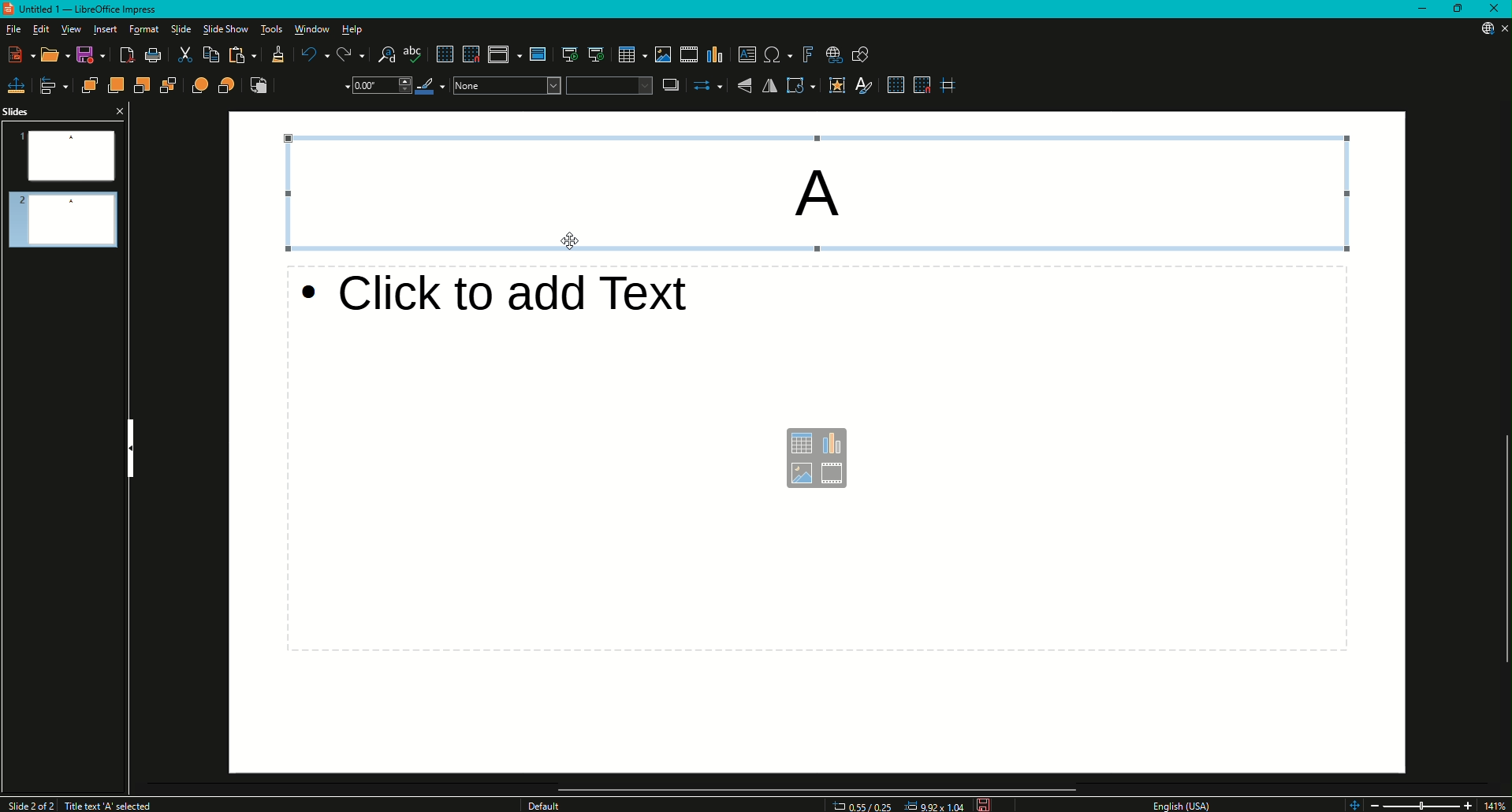 The height and width of the screenshot is (812, 1512). Describe the element at coordinates (922, 86) in the screenshot. I see `Snap to Grid` at that location.